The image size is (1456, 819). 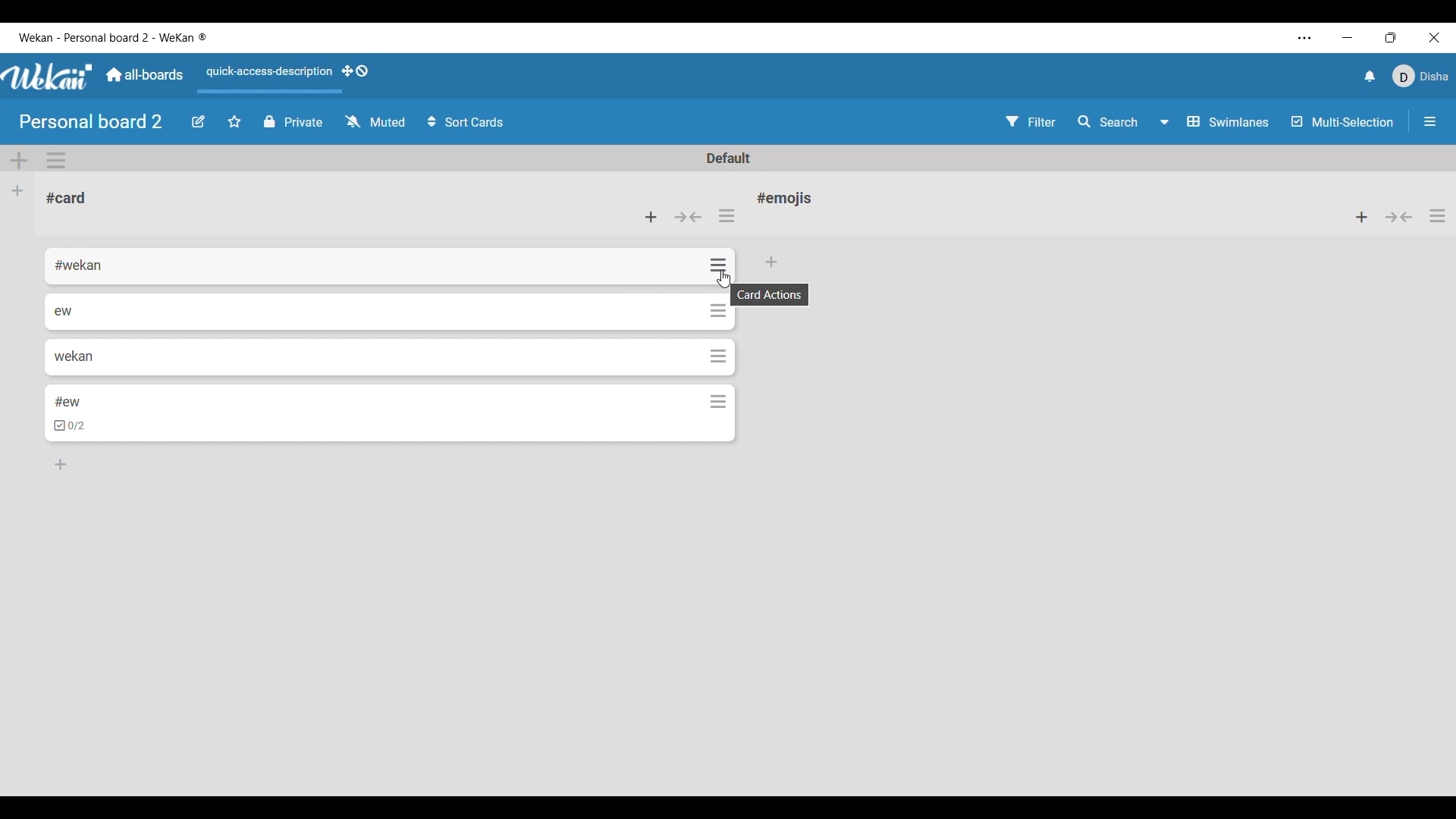 I want to click on Add list, so click(x=17, y=191).